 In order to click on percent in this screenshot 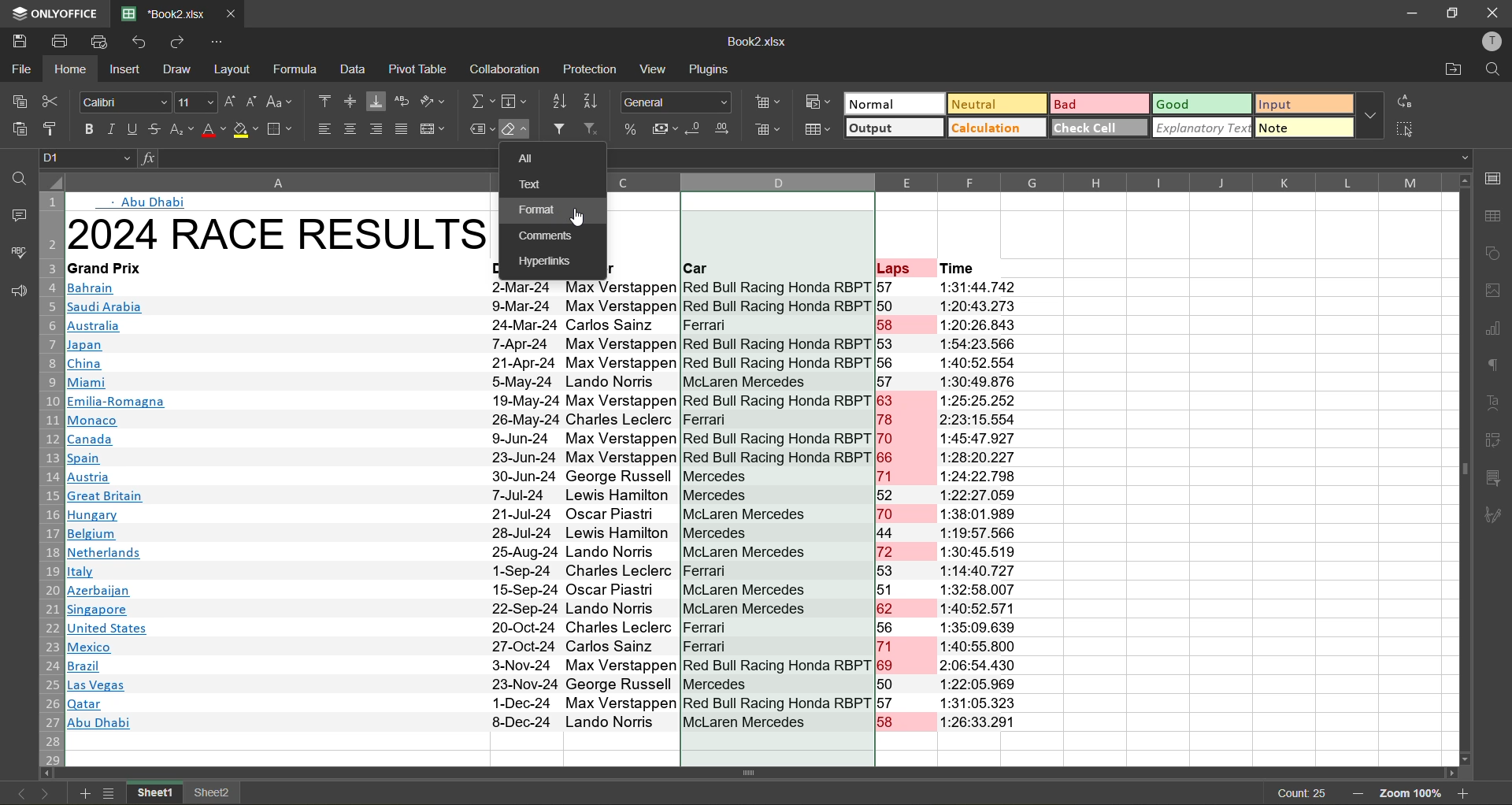, I will do `click(633, 133)`.